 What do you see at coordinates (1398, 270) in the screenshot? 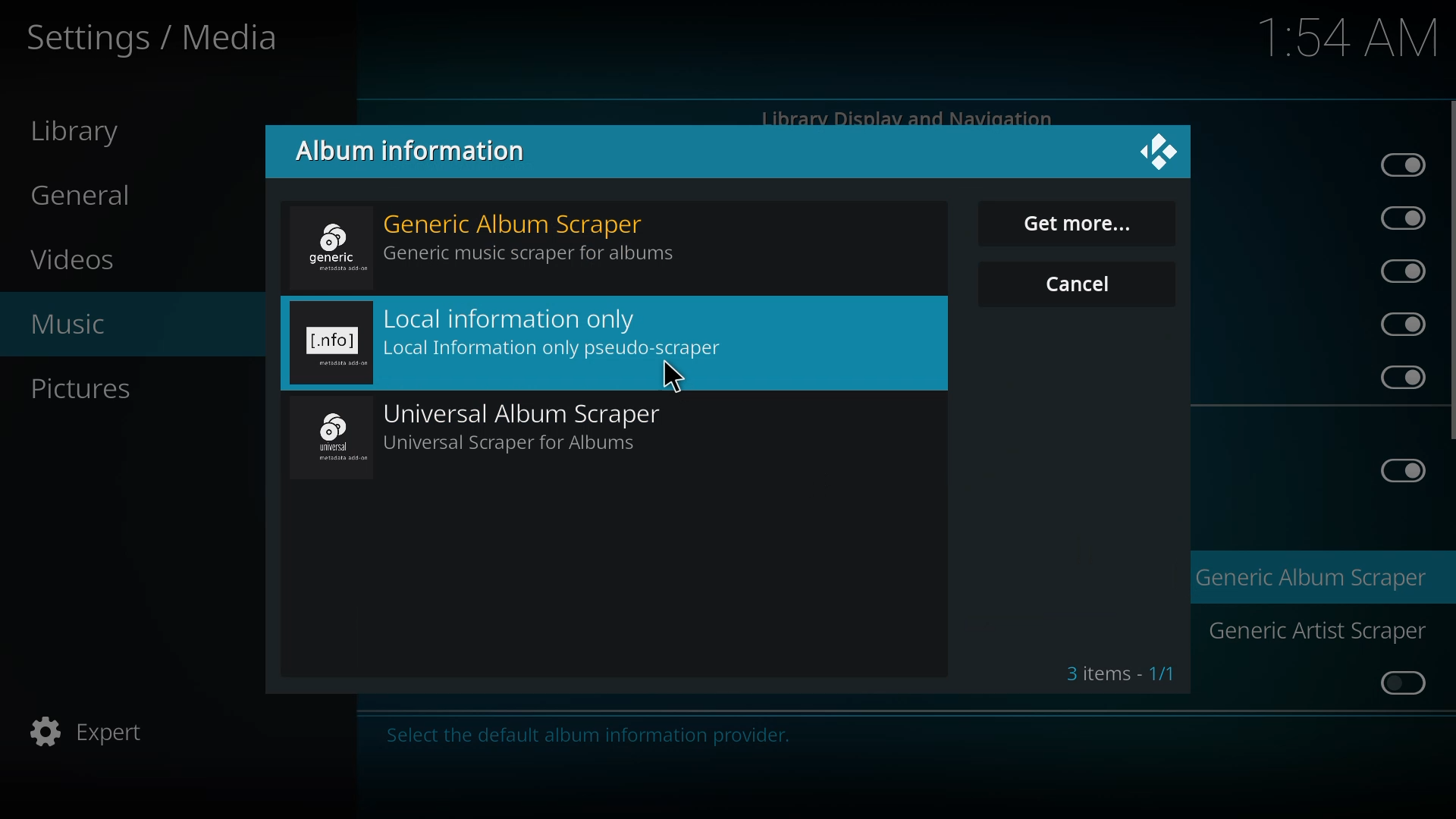
I see `enabled` at bounding box center [1398, 270].